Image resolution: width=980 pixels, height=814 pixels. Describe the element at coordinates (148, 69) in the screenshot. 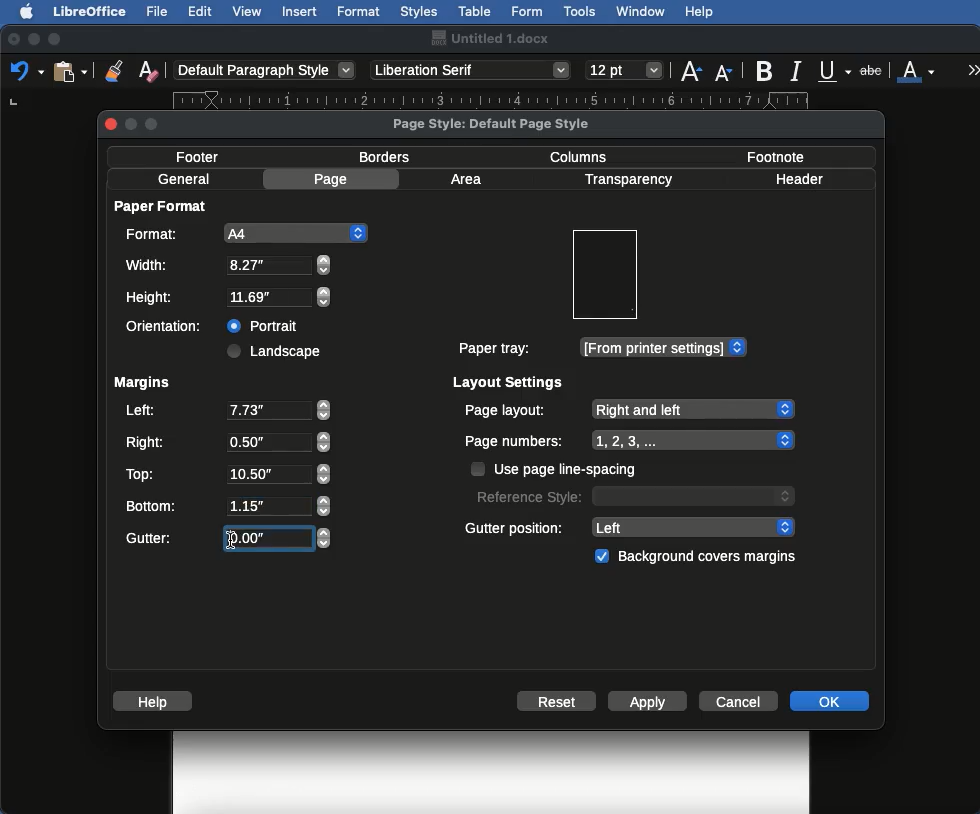

I see `Clear formatting` at that location.